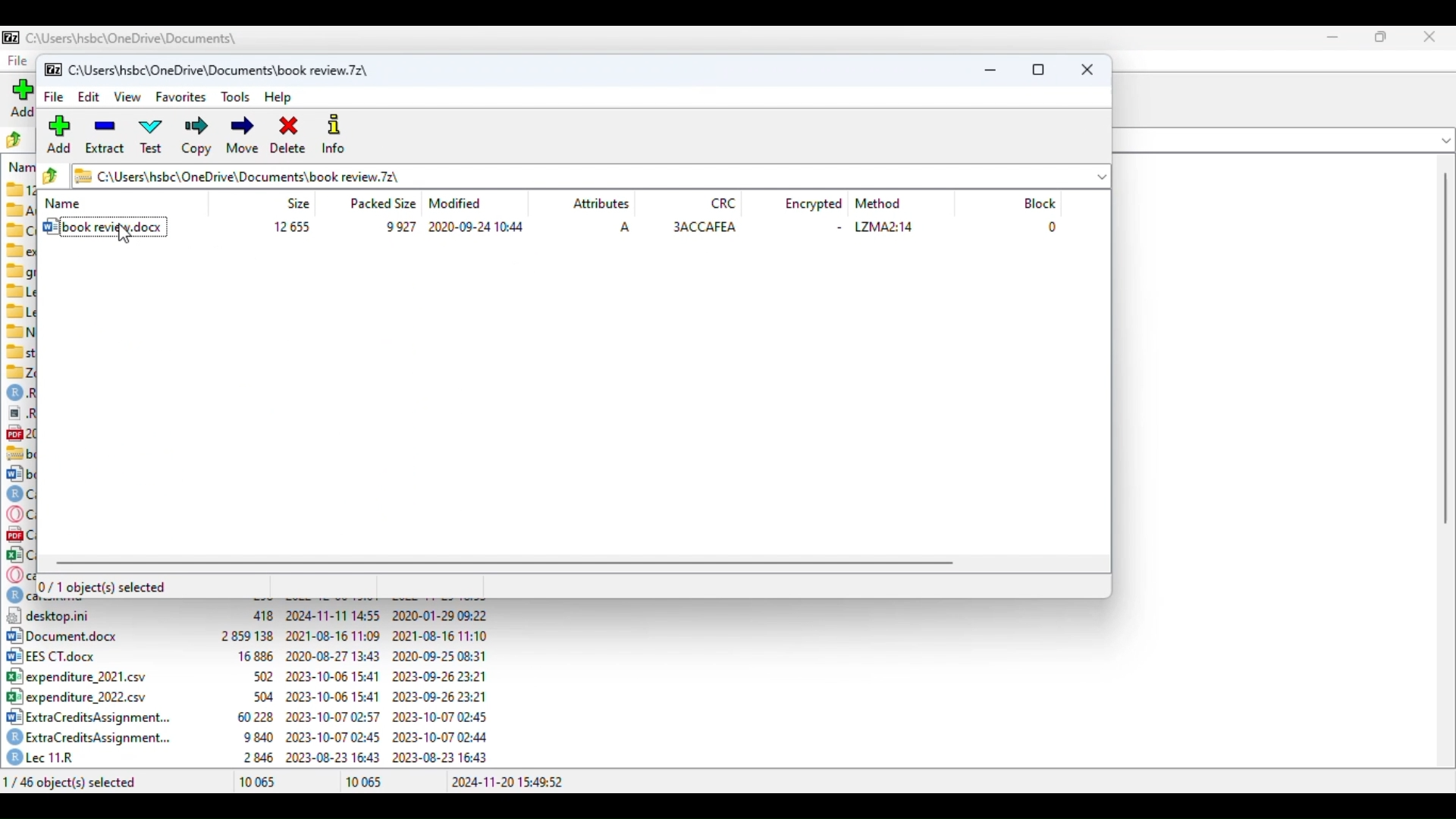  Describe the element at coordinates (12, 37) in the screenshot. I see `logo` at that location.